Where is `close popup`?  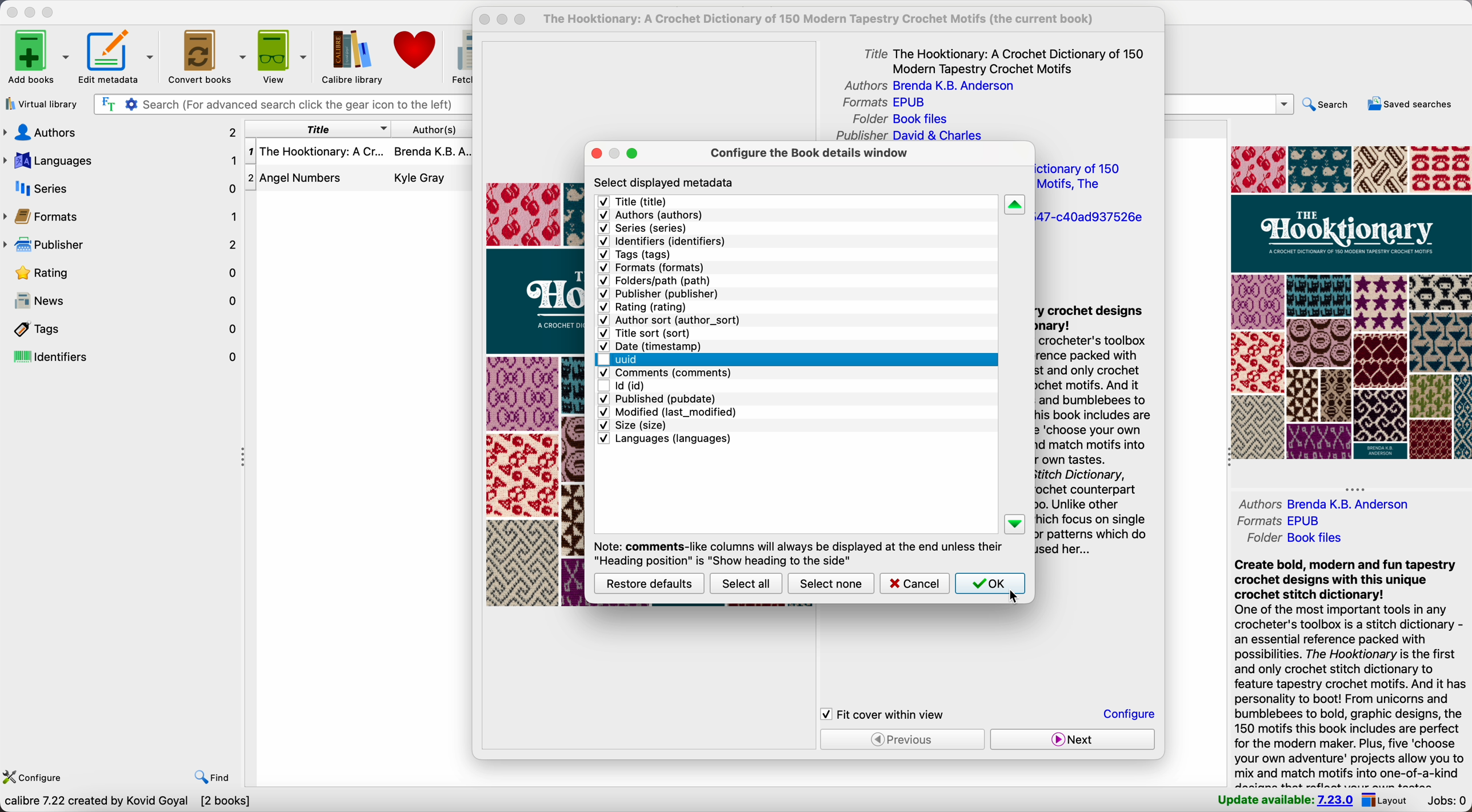
close popup is located at coordinates (485, 19).